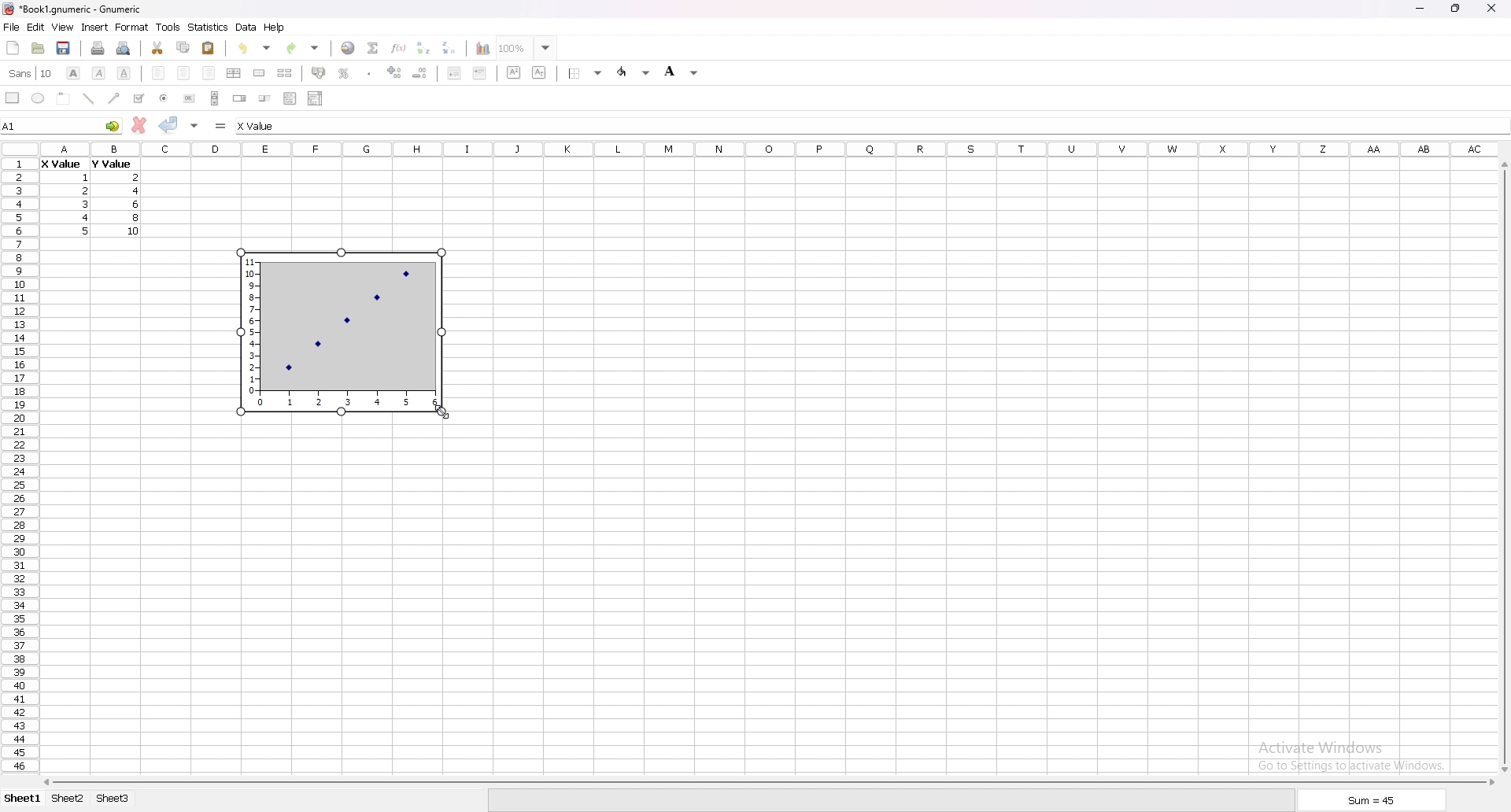 Image resolution: width=1511 pixels, height=812 pixels. I want to click on cancel change, so click(140, 125).